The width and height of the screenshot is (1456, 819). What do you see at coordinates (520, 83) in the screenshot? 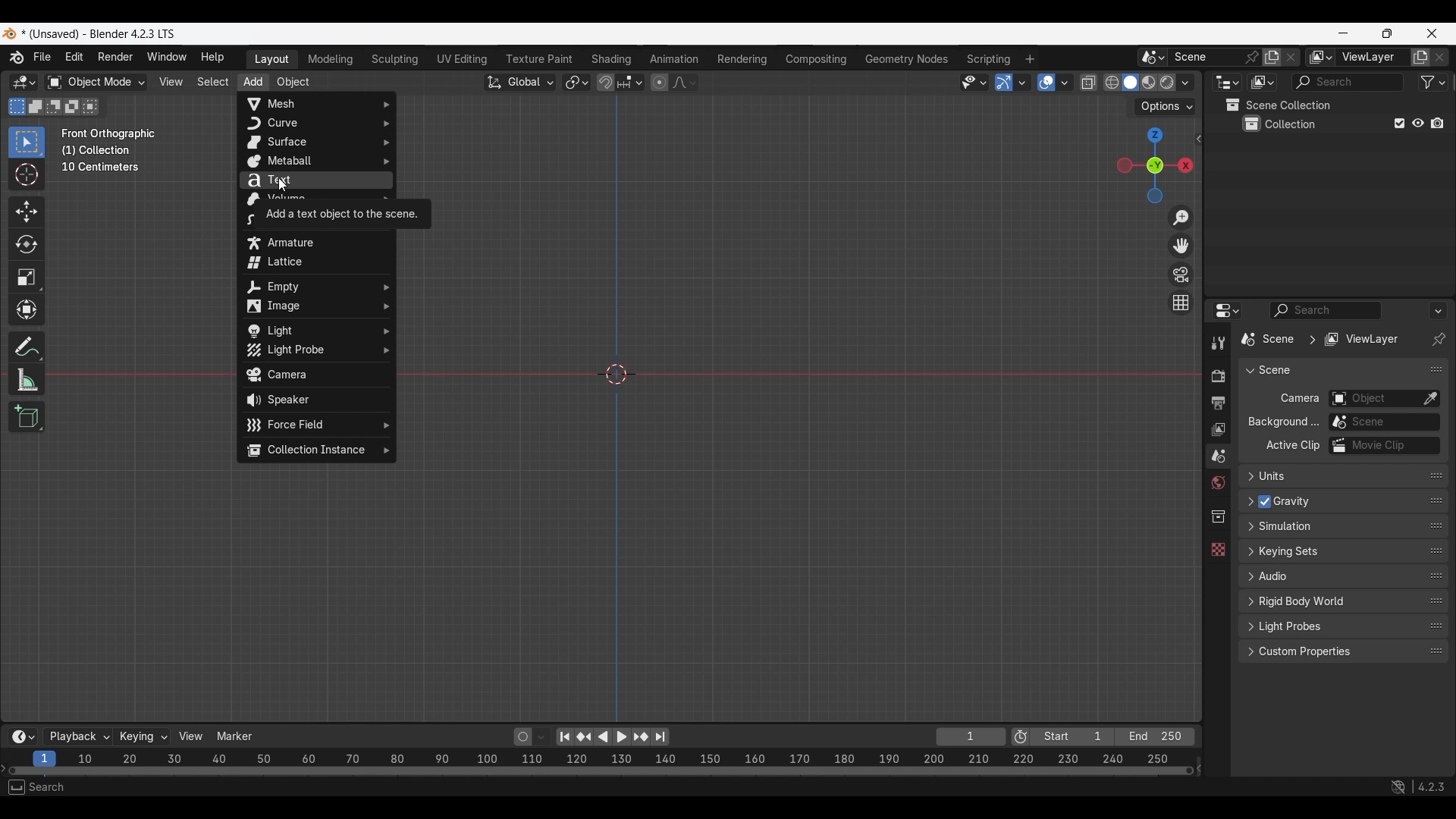
I see `Transformation orientation, global` at bounding box center [520, 83].